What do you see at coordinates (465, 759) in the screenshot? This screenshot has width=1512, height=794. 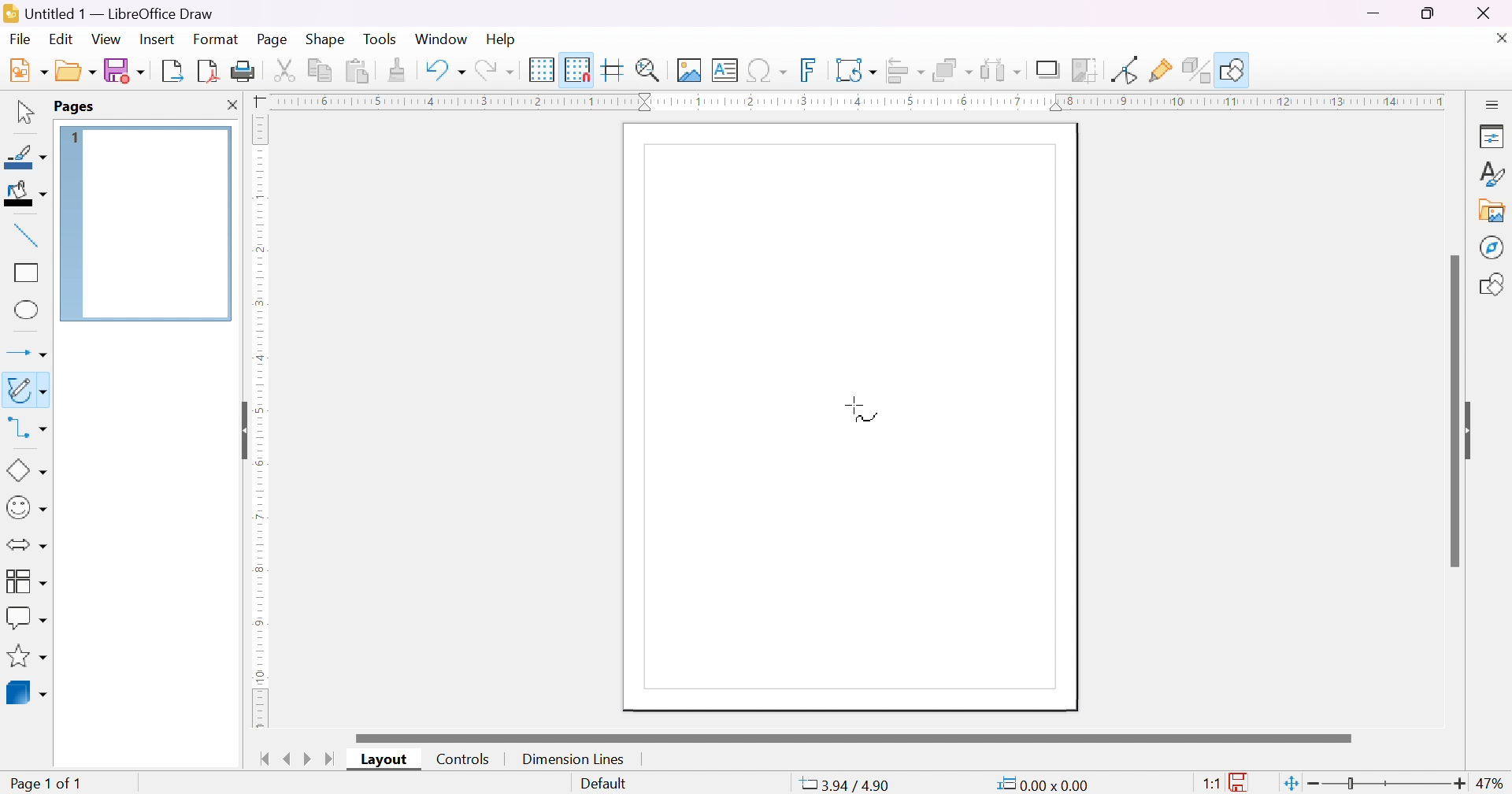 I see `controls` at bounding box center [465, 759].